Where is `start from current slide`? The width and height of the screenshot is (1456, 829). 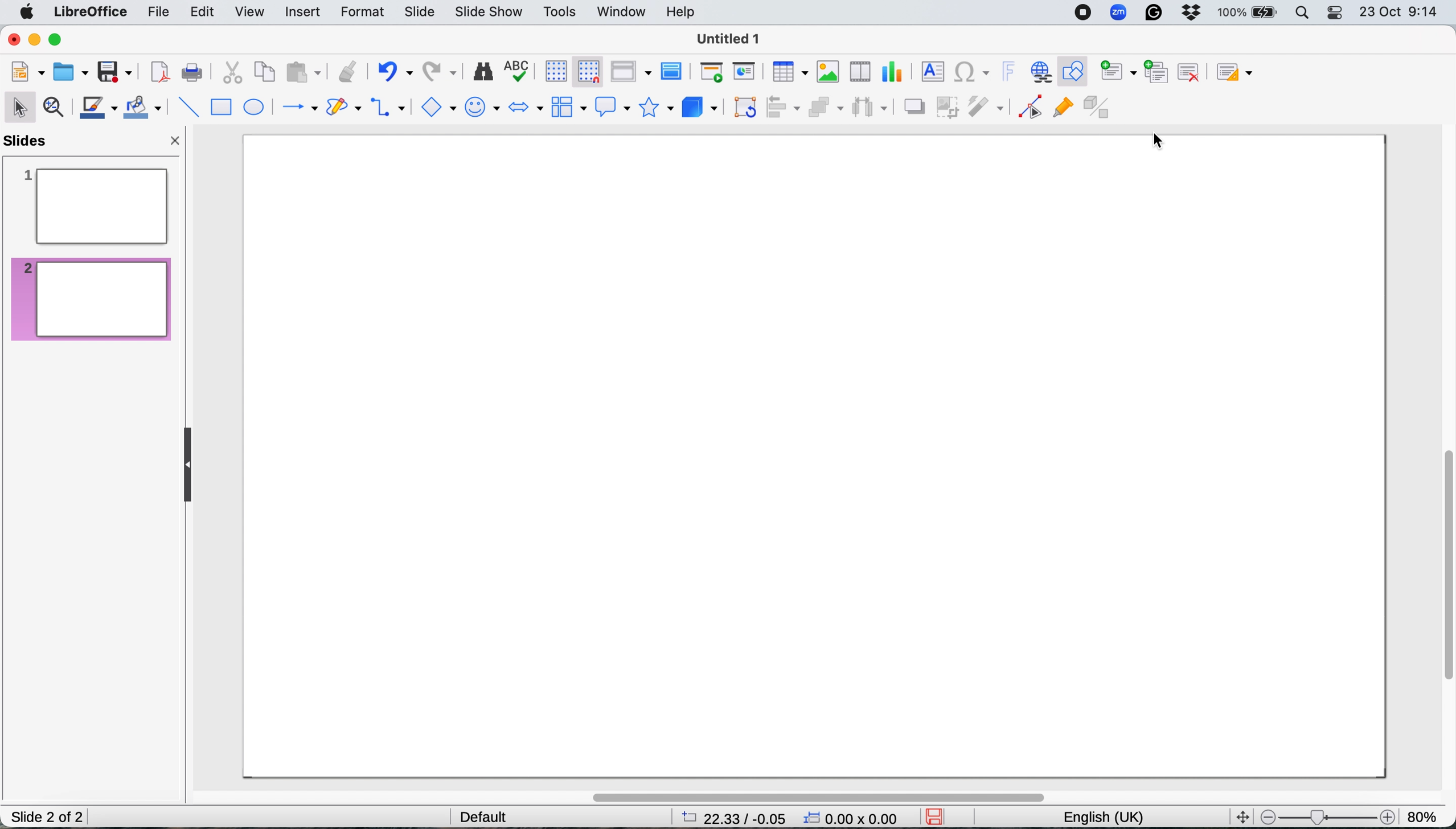
start from current slide is located at coordinates (743, 73).